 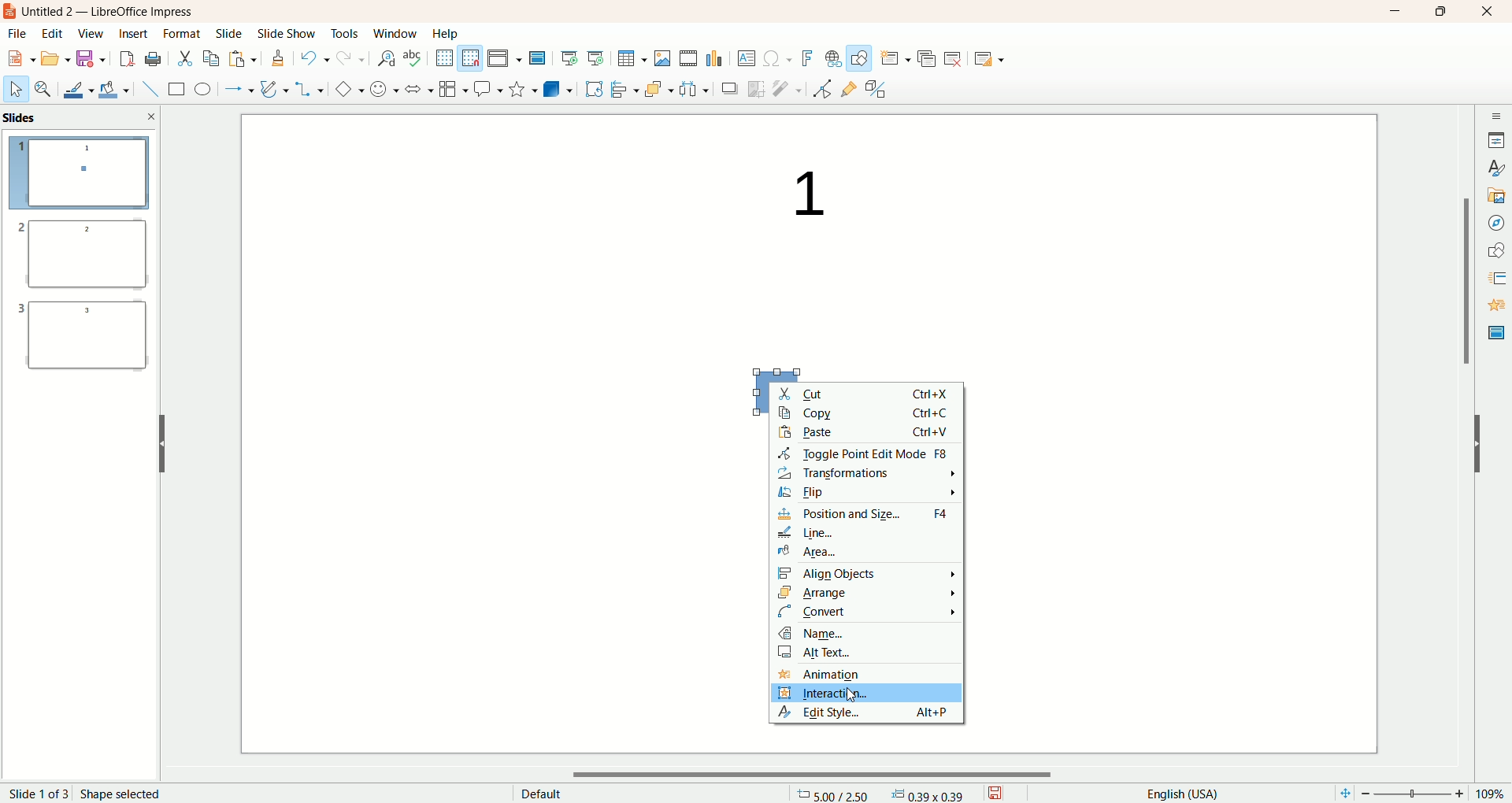 What do you see at coordinates (152, 116) in the screenshot?
I see `close` at bounding box center [152, 116].